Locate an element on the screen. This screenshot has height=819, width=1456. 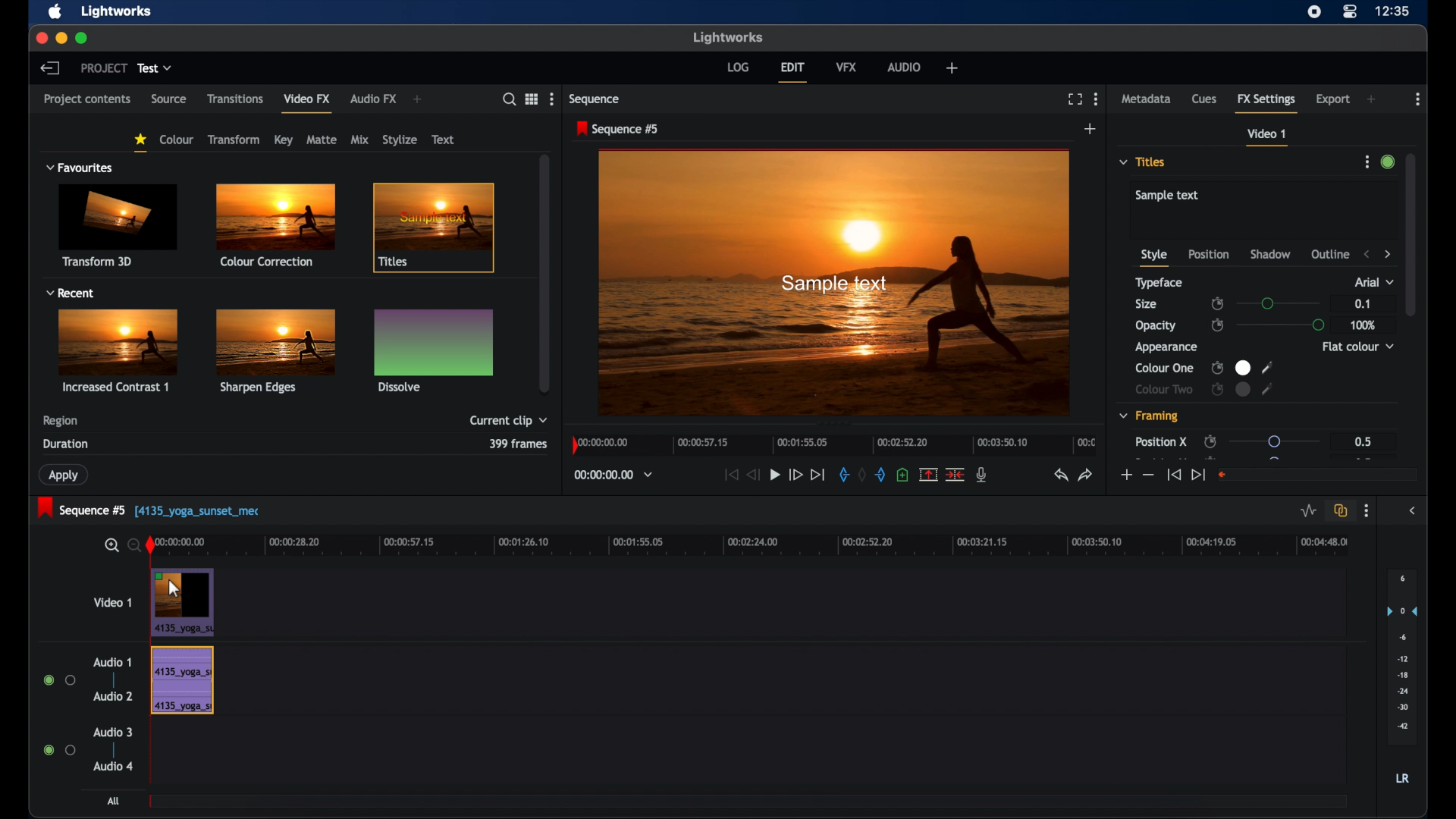
export is located at coordinates (1332, 99).